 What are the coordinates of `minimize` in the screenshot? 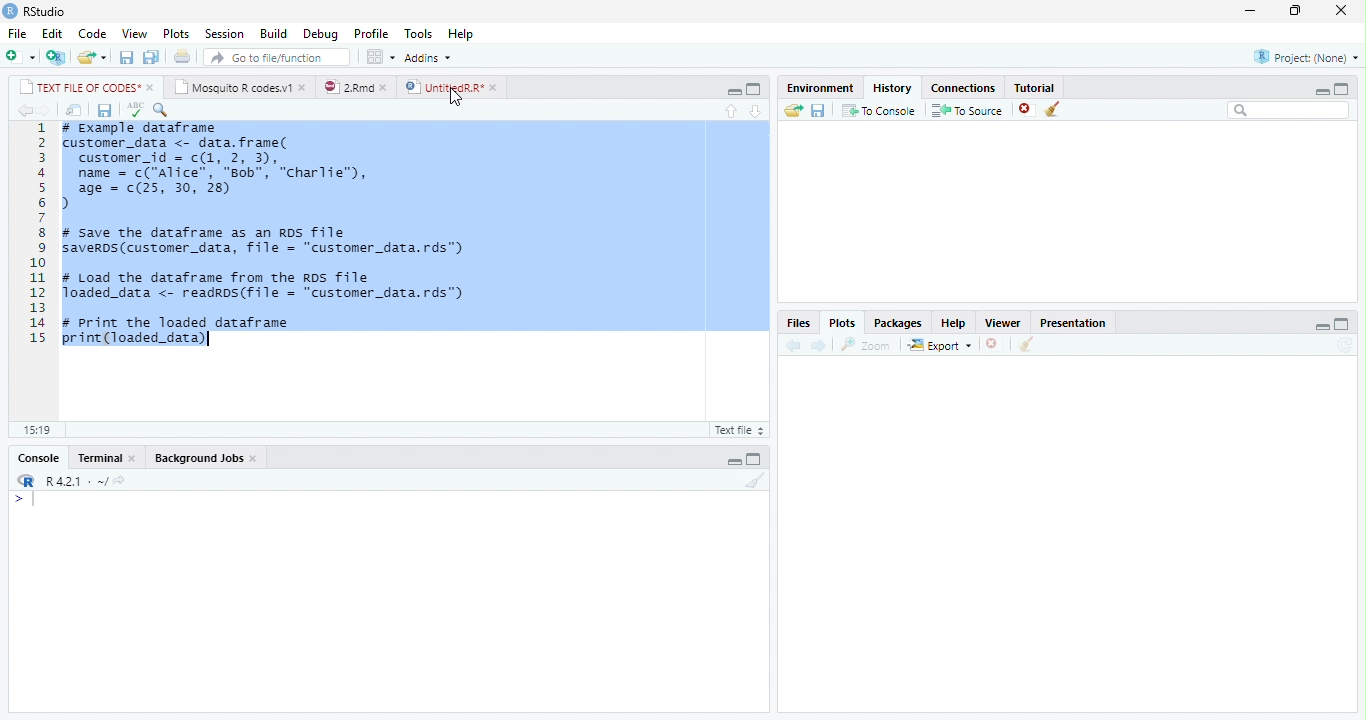 It's located at (734, 92).